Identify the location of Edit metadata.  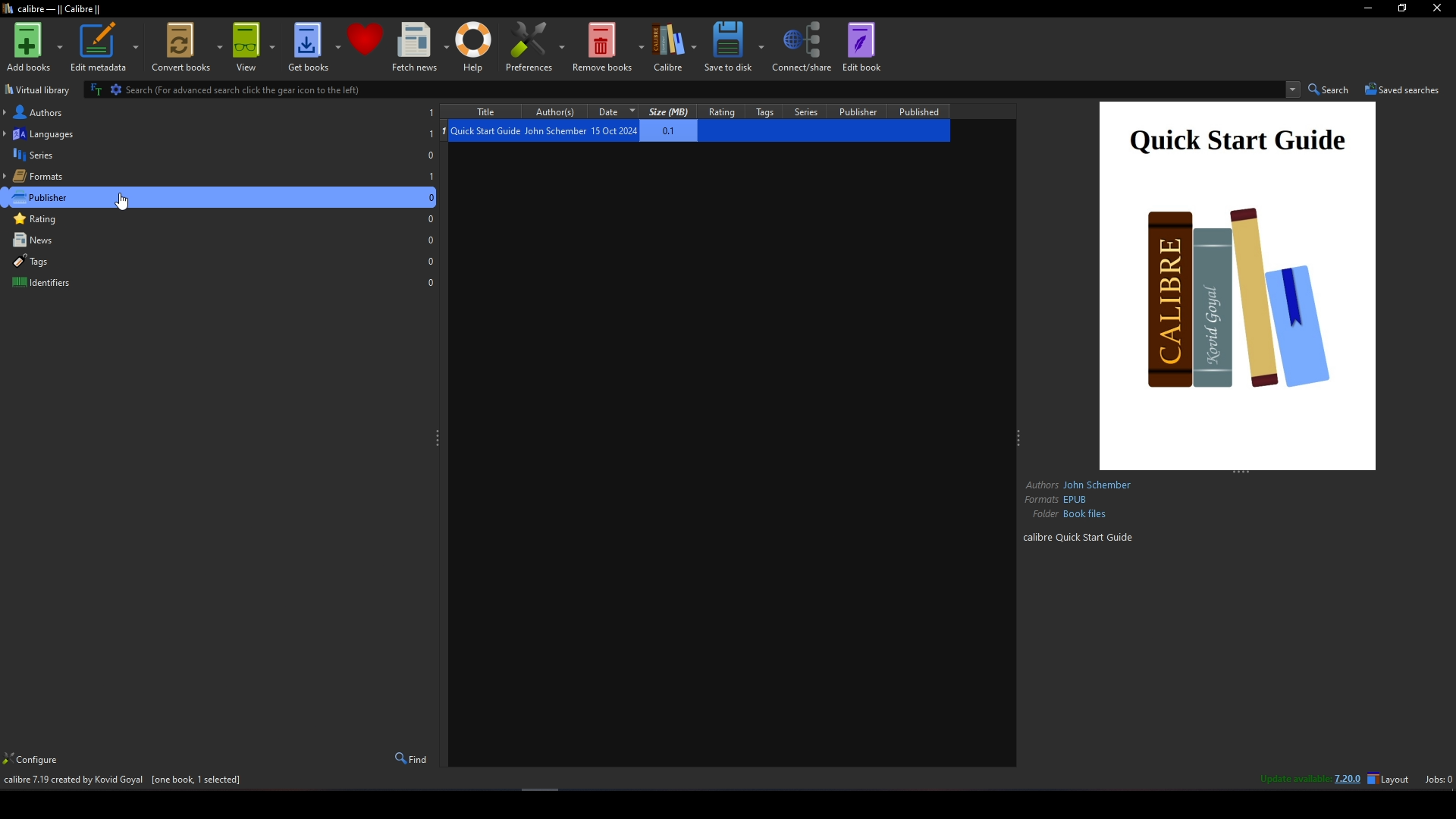
(105, 47).